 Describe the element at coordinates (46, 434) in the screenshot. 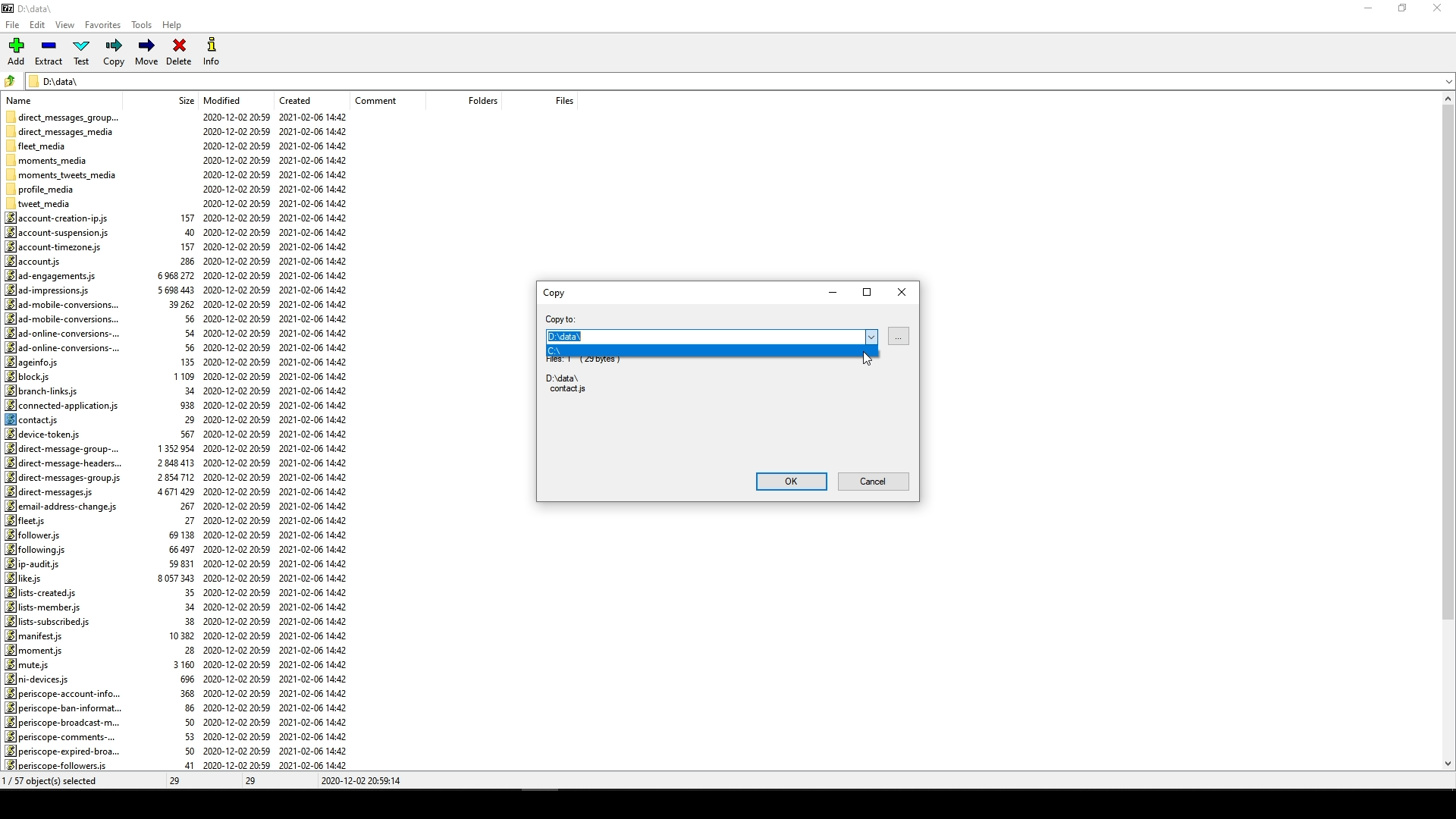

I see `device-token.js` at that location.